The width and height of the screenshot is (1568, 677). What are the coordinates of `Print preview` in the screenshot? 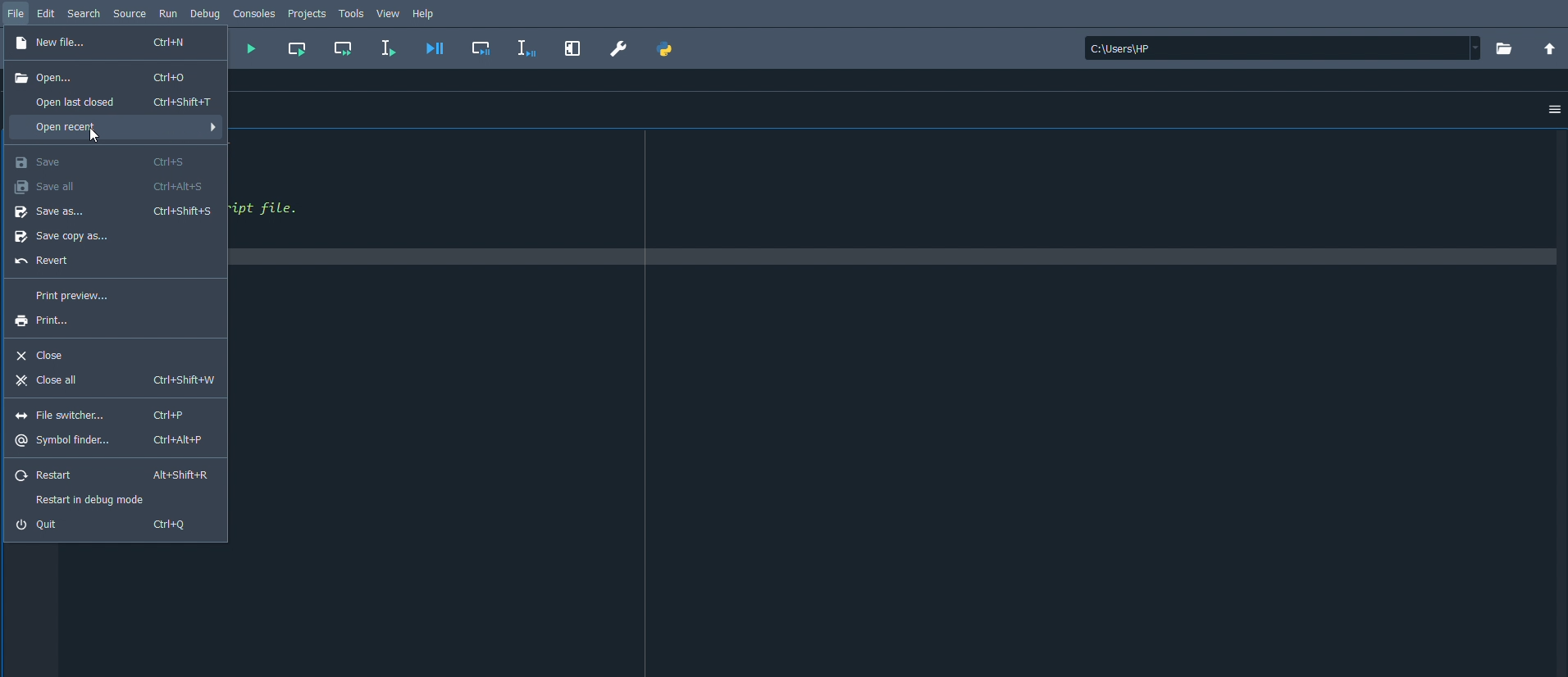 It's located at (73, 296).